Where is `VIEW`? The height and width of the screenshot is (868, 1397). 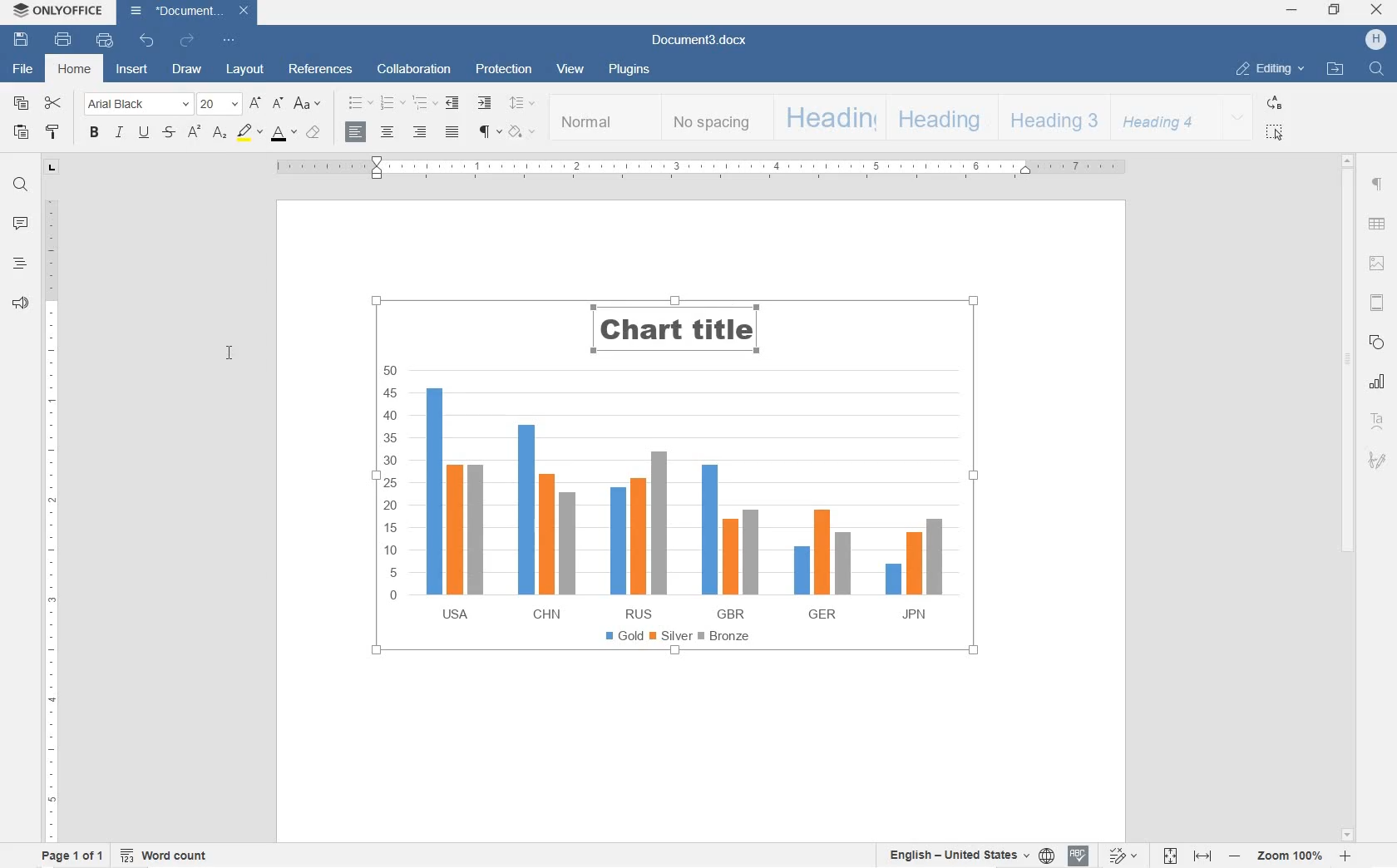 VIEW is located at coordinates (572, 71).